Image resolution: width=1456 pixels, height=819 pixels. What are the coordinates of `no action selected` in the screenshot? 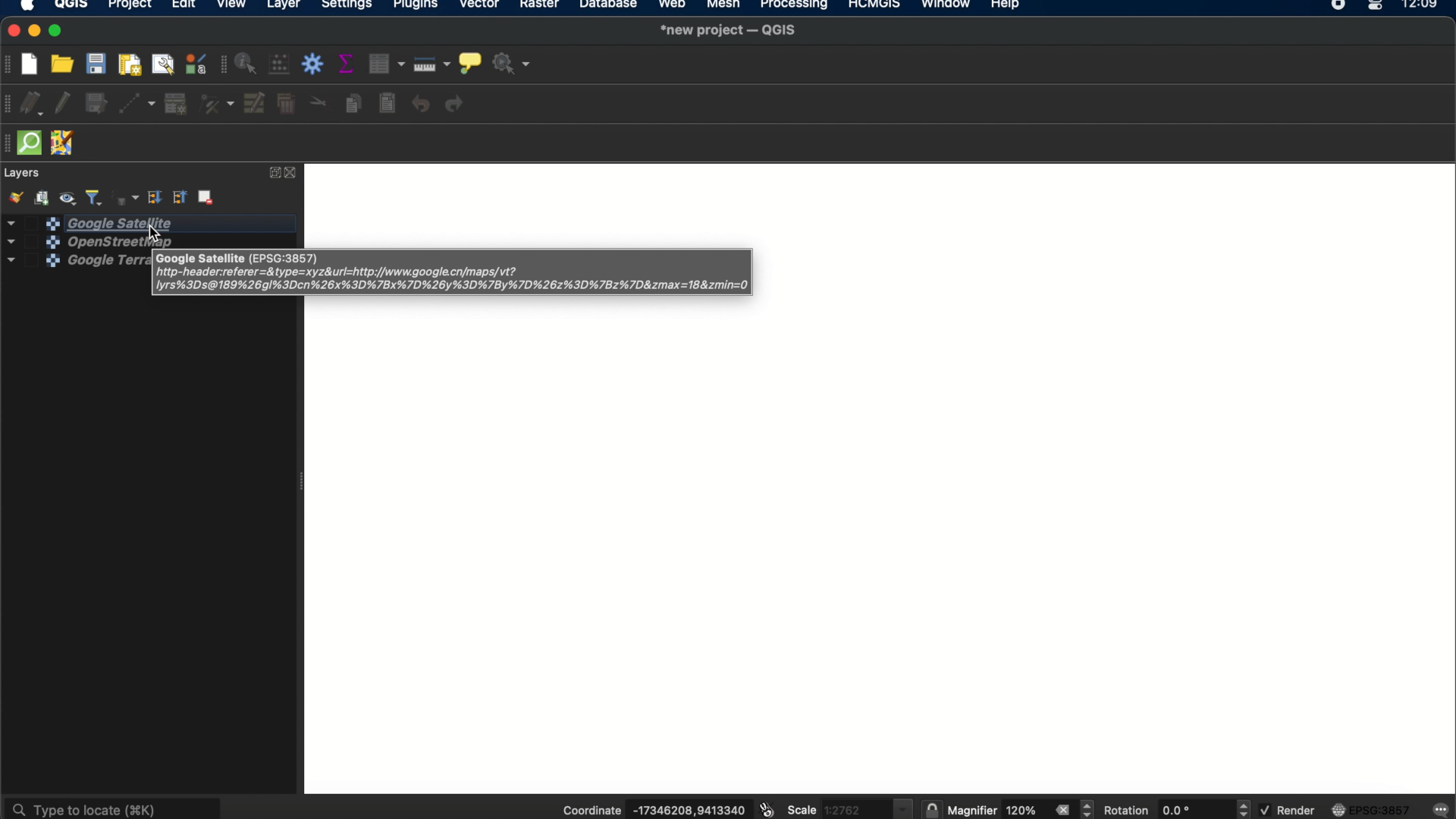 It's located at (511, 64).